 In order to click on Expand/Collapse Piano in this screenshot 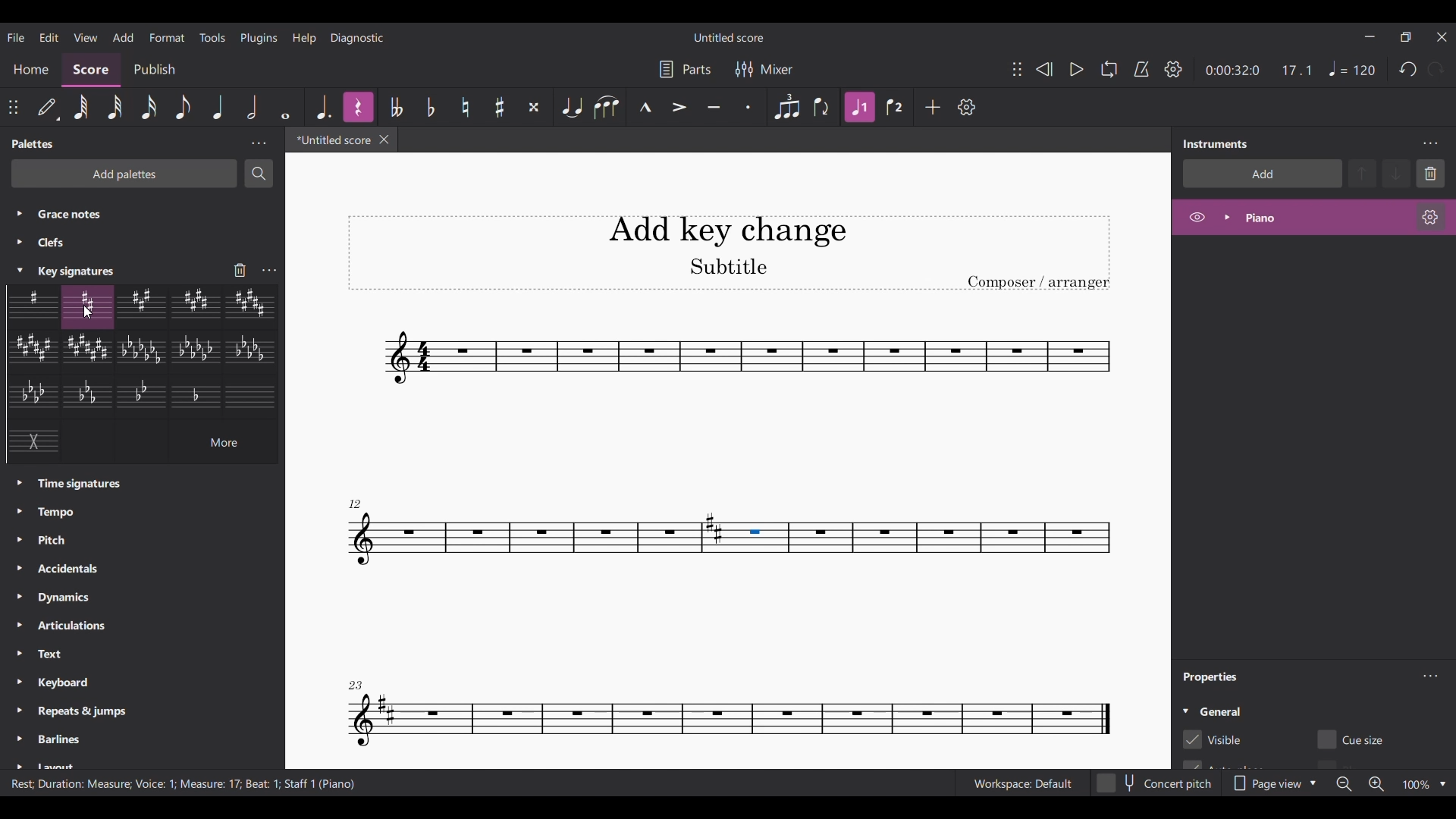, I will do `click(1227, 218)`.